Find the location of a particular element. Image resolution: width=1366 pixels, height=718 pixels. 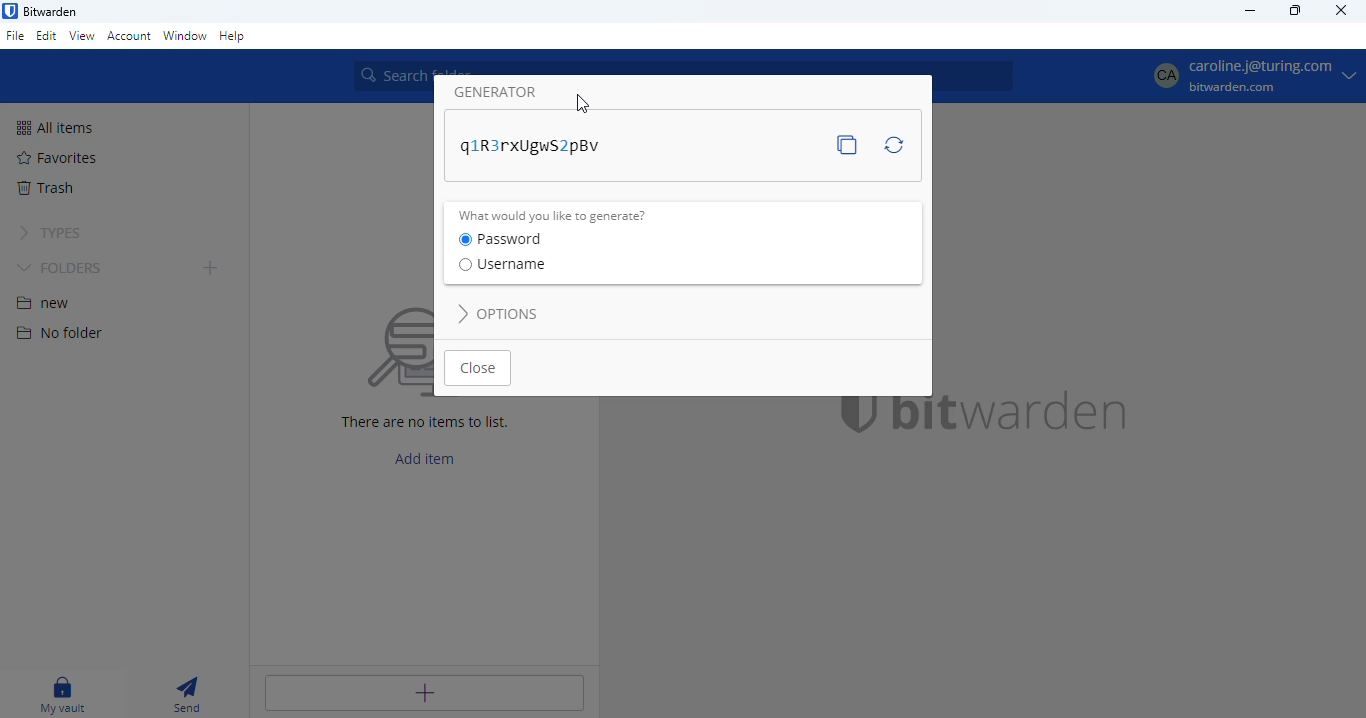

favorites is located at coordinates (58, 157).